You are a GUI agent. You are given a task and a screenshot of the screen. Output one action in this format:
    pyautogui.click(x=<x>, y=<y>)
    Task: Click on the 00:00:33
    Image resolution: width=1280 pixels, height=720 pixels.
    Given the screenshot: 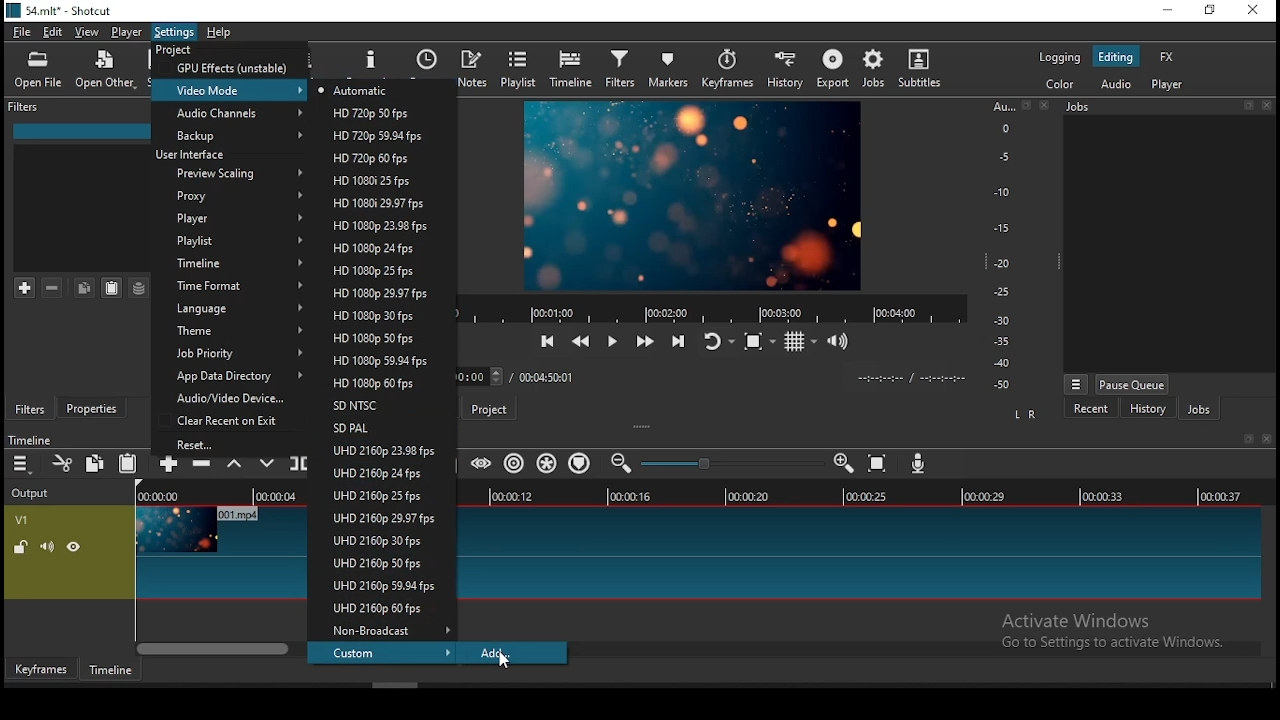 What is the action you would take?
    pyautogui.click(x=1103, y=495)
    